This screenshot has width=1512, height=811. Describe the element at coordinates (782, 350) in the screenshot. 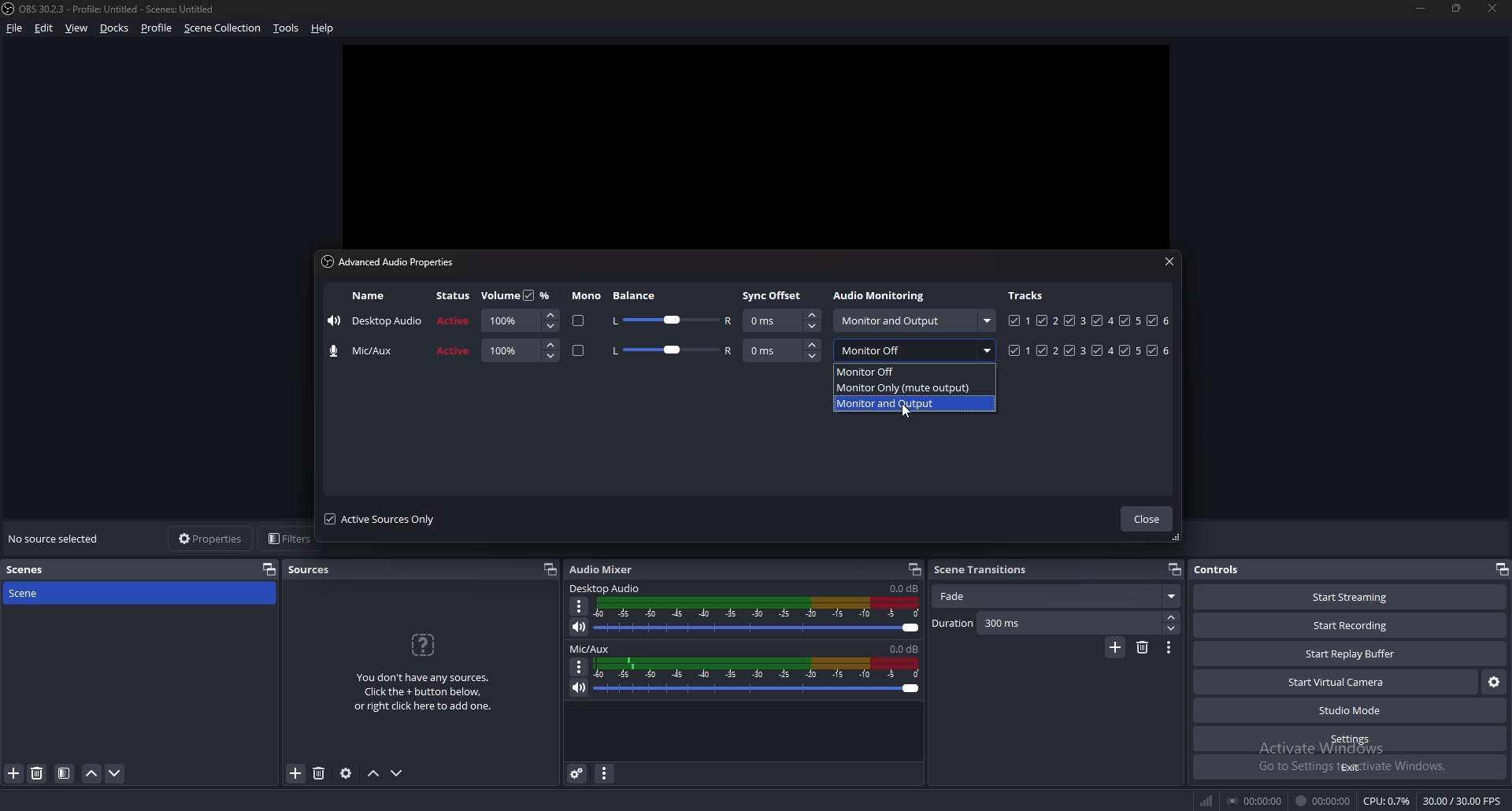

I see `sync offset adjust` at that location.